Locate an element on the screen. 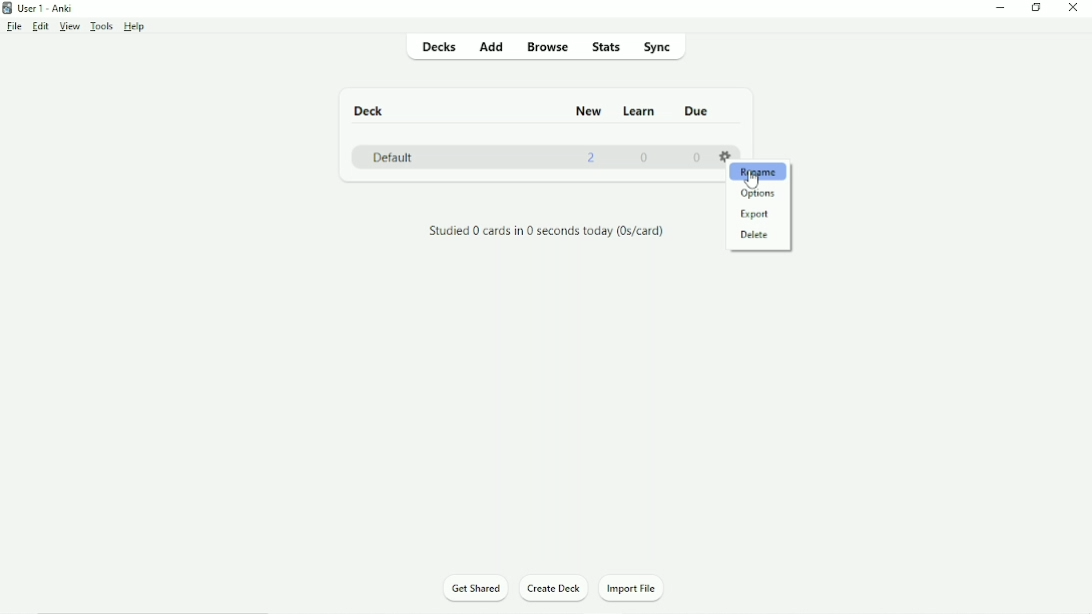 The width and height of the screenshot is (1092, 614). Decks is located at coordinates (437, 48).